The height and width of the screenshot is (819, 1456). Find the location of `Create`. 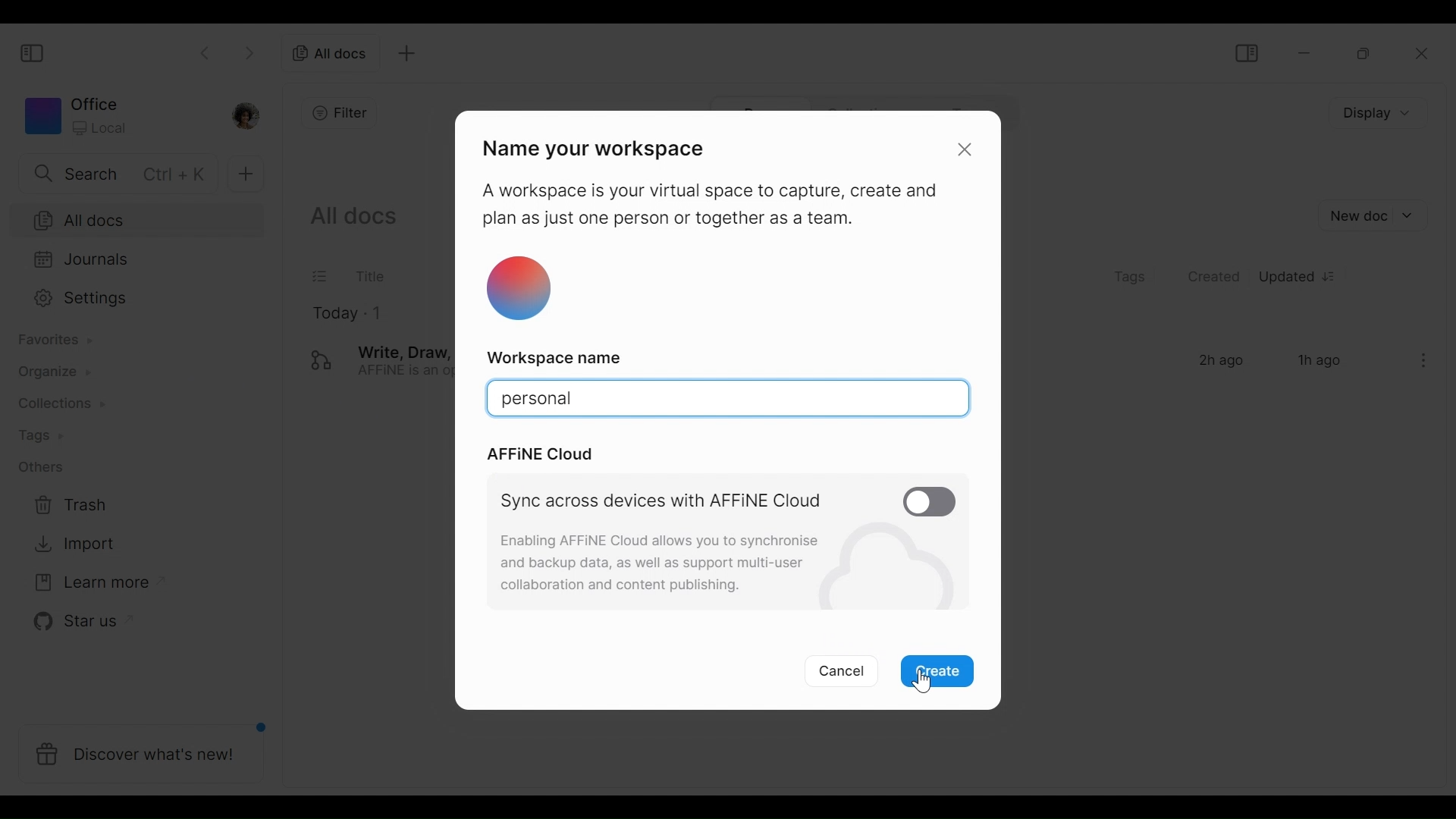

Create is located at coordinates (939, 672).